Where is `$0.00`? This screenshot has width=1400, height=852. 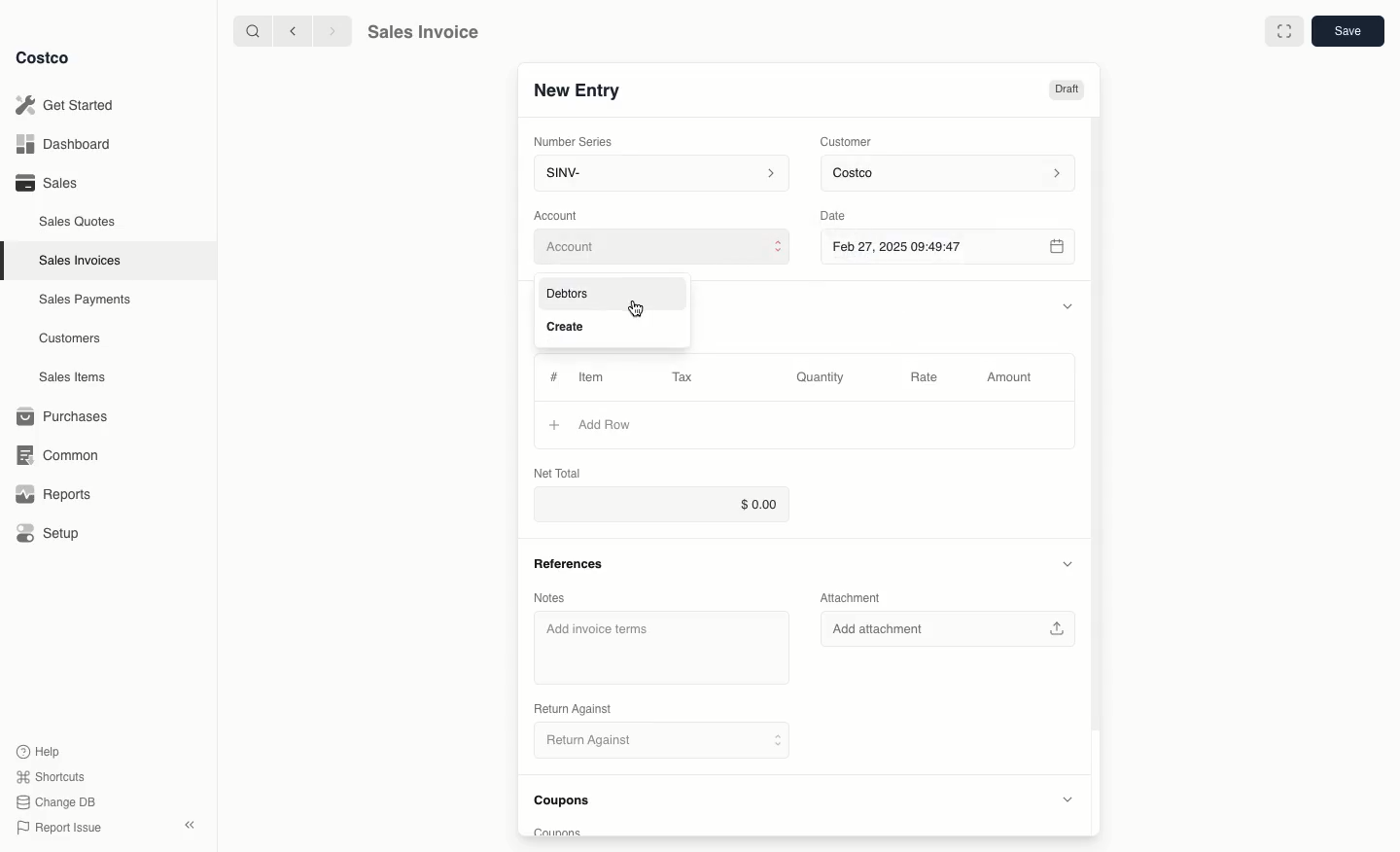
$0.00 is located at coordinates (657, 505).